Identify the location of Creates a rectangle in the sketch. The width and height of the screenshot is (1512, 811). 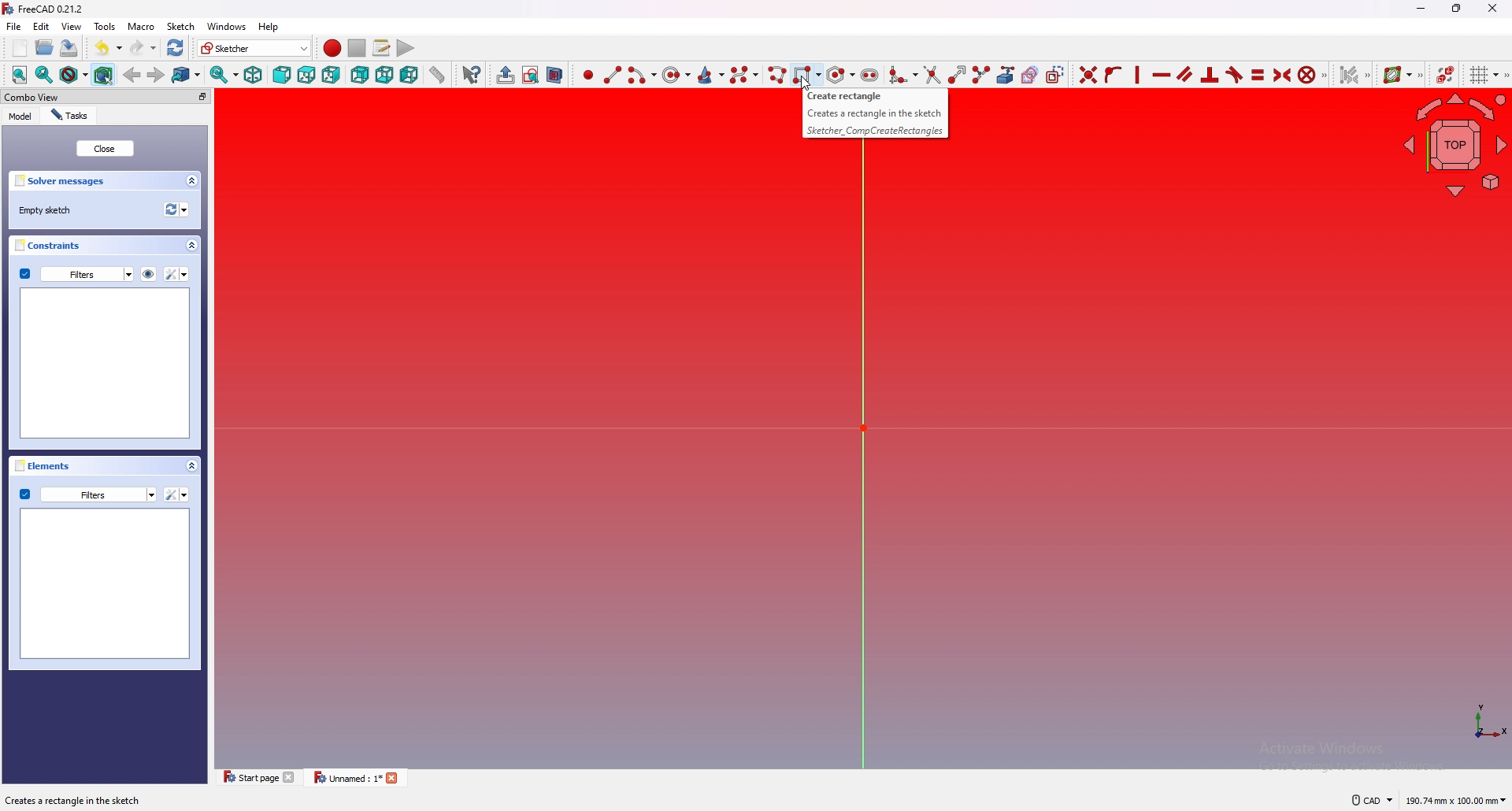
(873, 113).